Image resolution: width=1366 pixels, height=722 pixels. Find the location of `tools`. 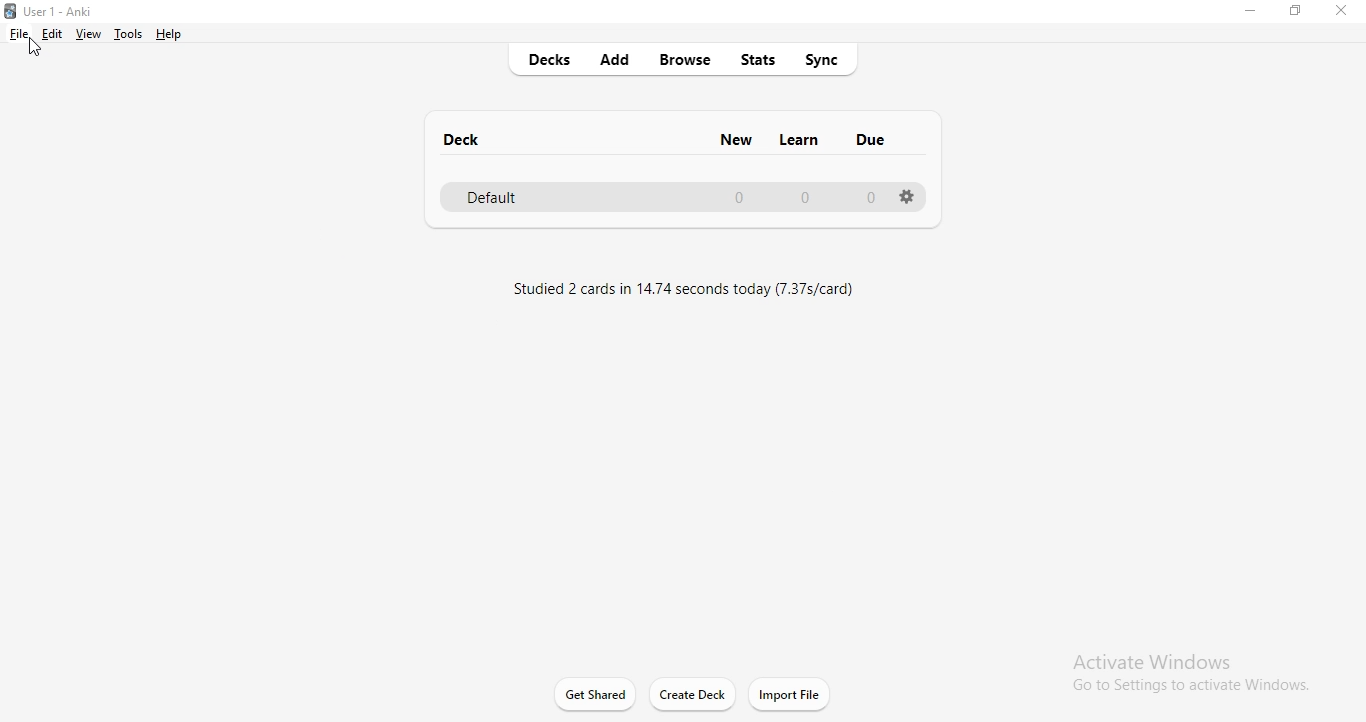

tools is located at coordinates (129, 34).